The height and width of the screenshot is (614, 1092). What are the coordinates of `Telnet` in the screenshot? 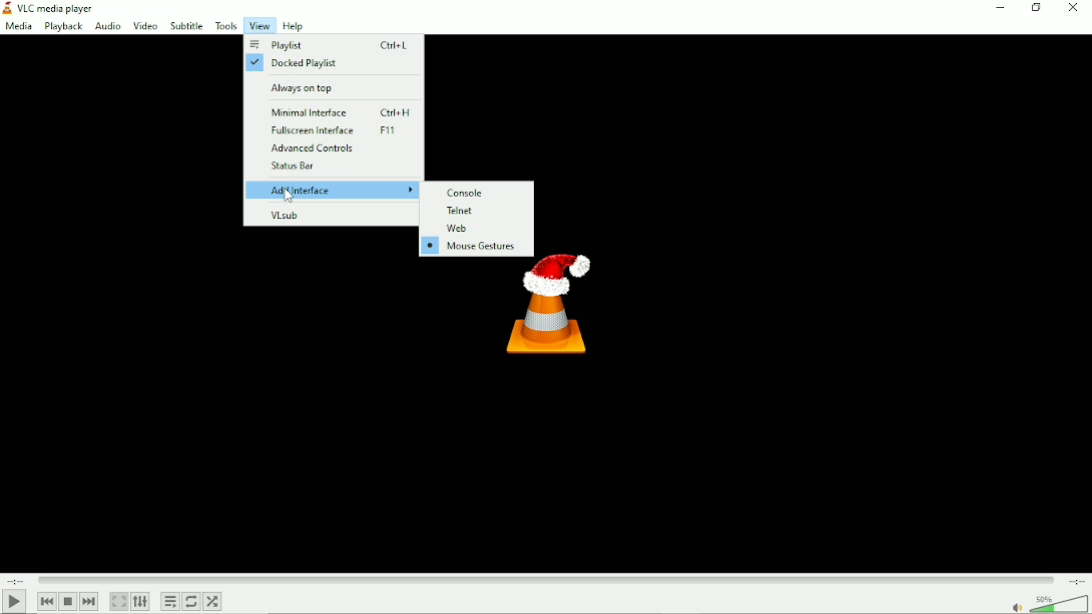 It's located at (478, 210).